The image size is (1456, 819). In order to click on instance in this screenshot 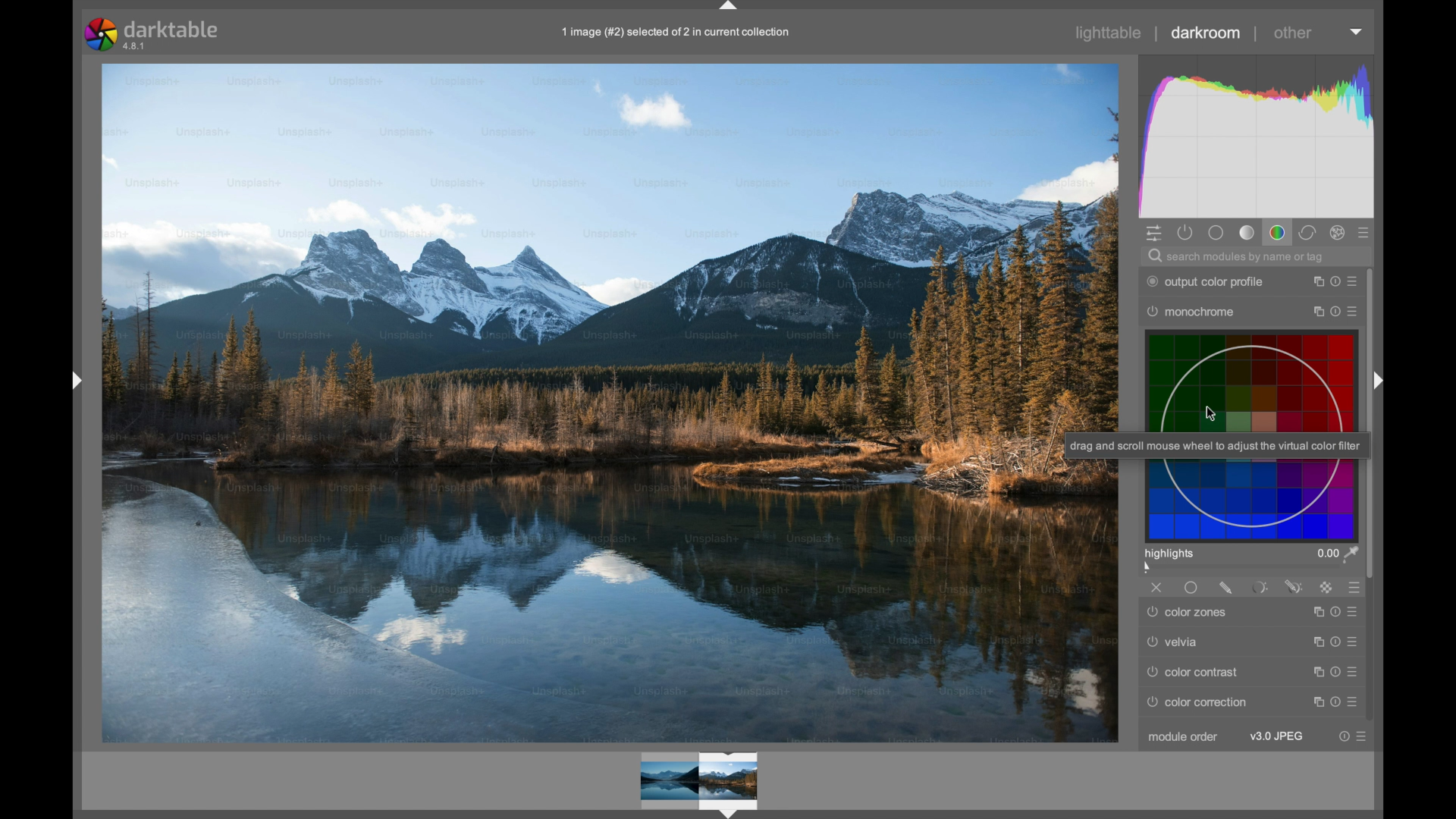, I will do `click(1316, 613)`.